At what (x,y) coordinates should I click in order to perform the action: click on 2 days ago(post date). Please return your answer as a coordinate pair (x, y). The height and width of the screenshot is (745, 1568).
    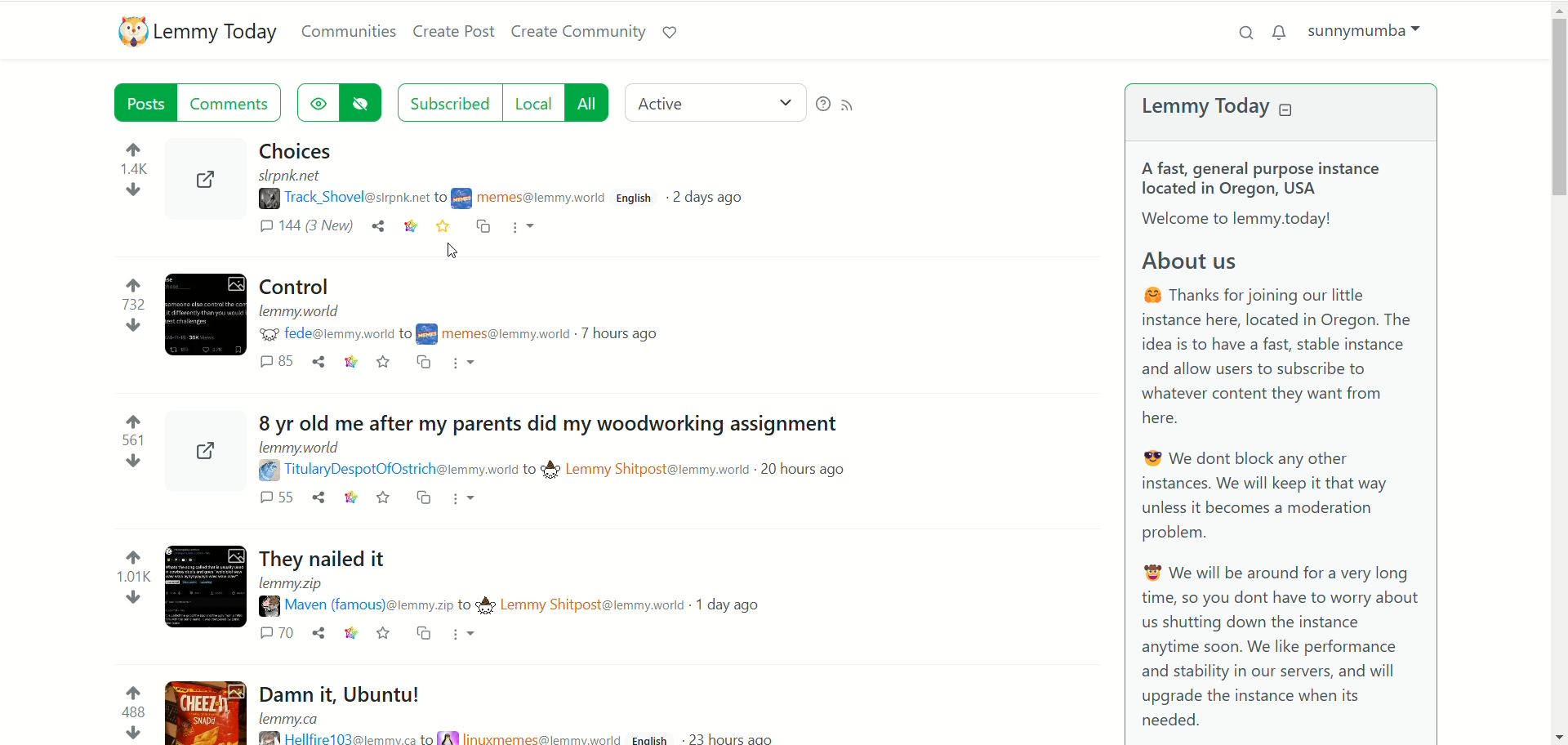
    Looking at the image, I should click on (716, 198).